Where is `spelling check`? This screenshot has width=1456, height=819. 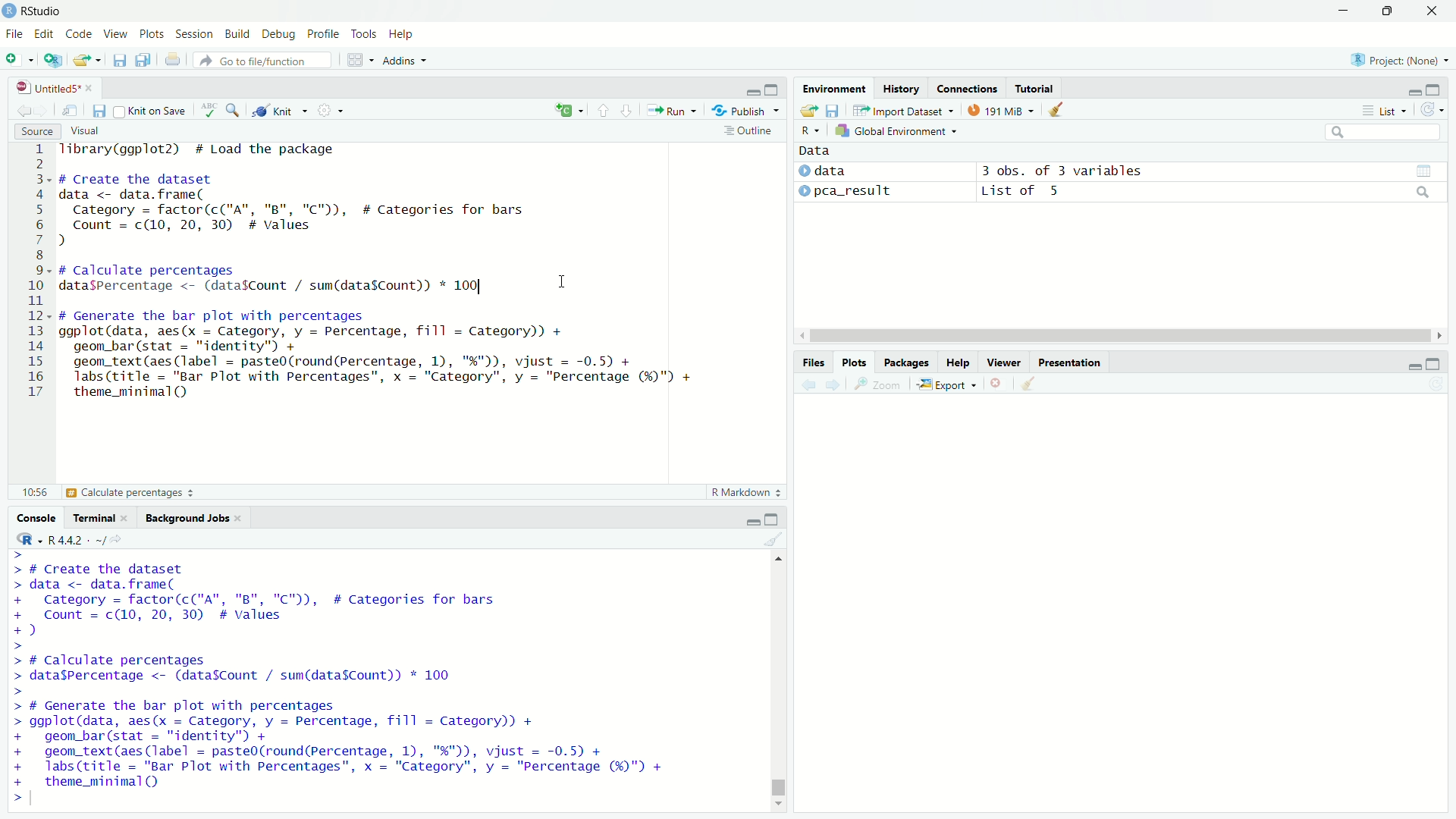 spelling check is located at coordinates (210, 110).